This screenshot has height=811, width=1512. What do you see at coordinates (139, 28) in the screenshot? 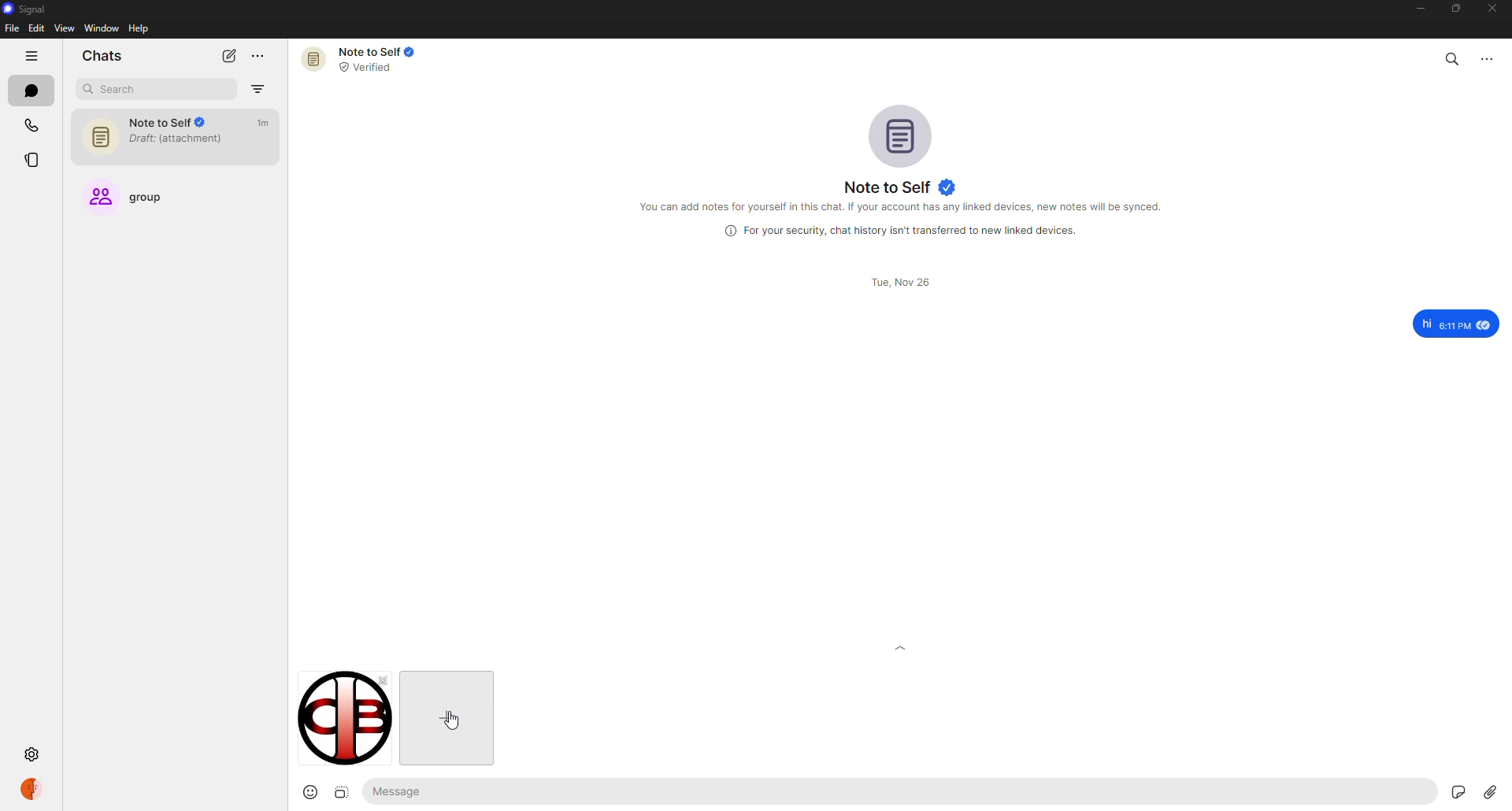
I see `help` at bounding box center [139, 28].